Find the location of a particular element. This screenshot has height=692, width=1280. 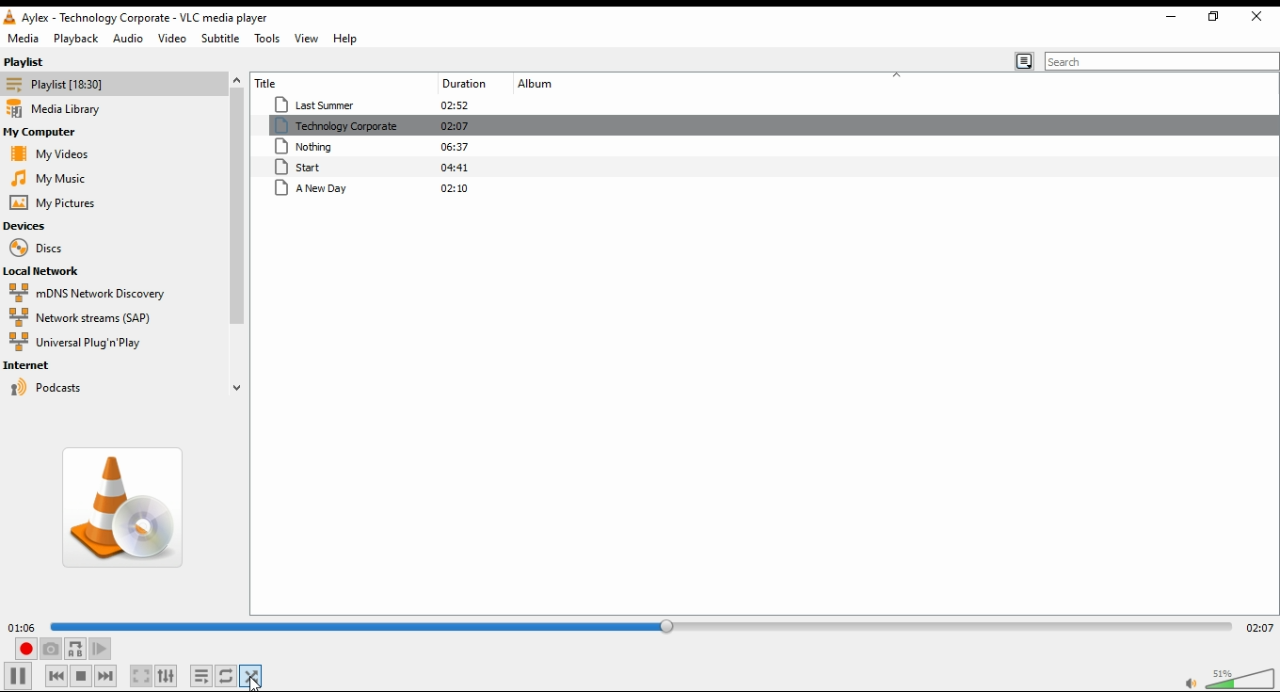

take a snapshot is located at coordinates (51, 648).